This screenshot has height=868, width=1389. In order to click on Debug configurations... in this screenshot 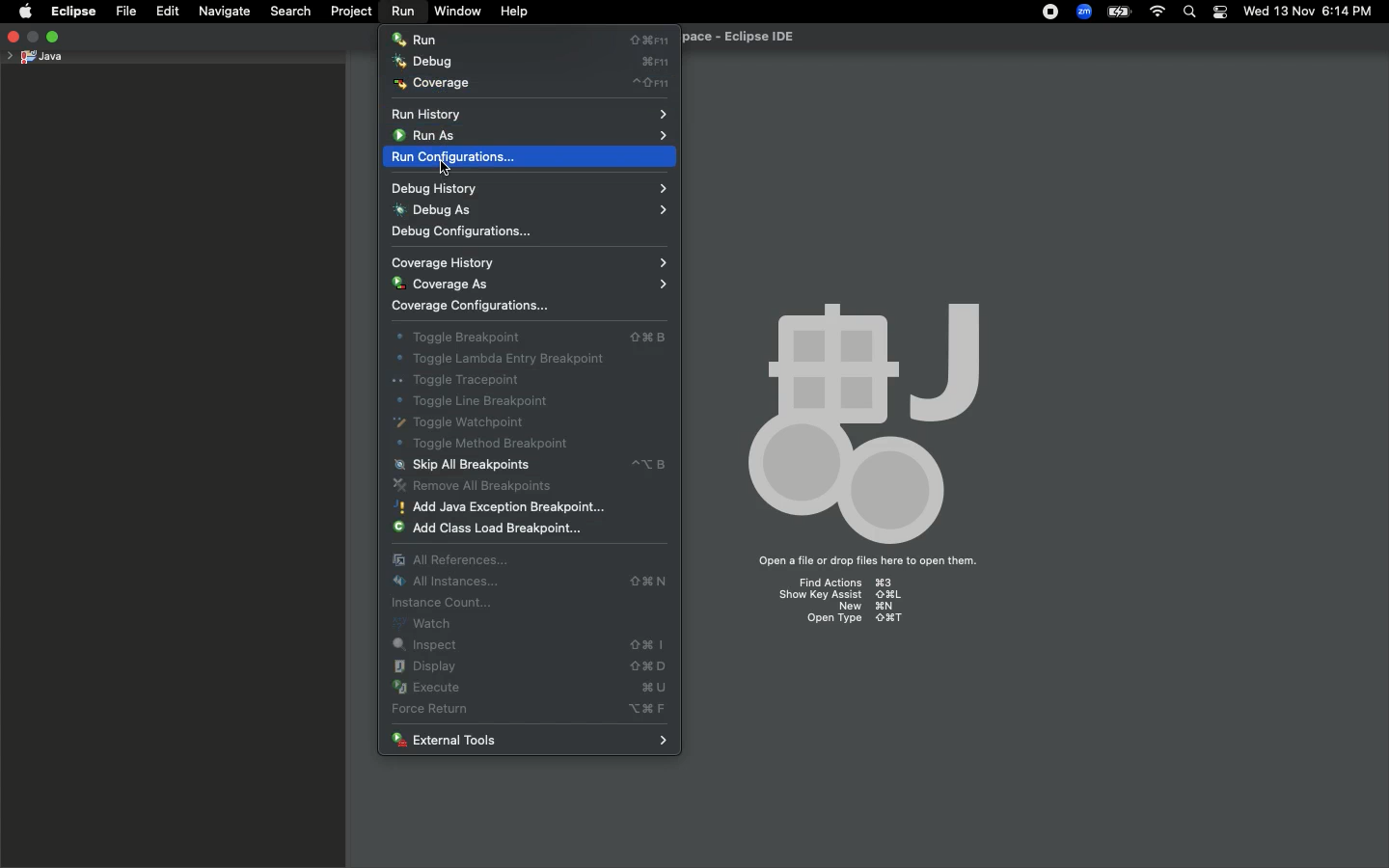, I will do `click(473, 231)`.